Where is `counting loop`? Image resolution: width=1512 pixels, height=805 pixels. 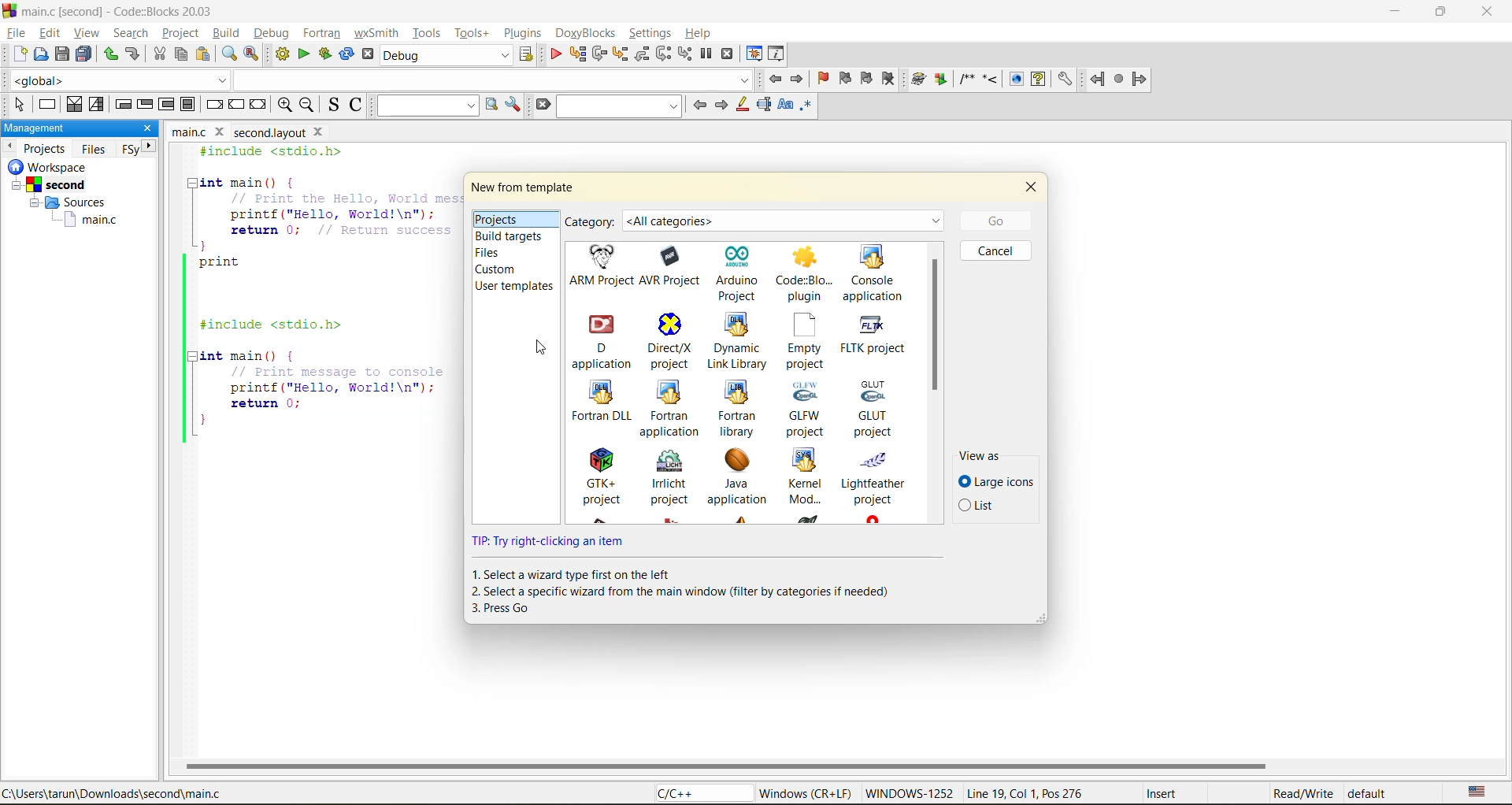
counting loop is located at coordinates (166, 106).